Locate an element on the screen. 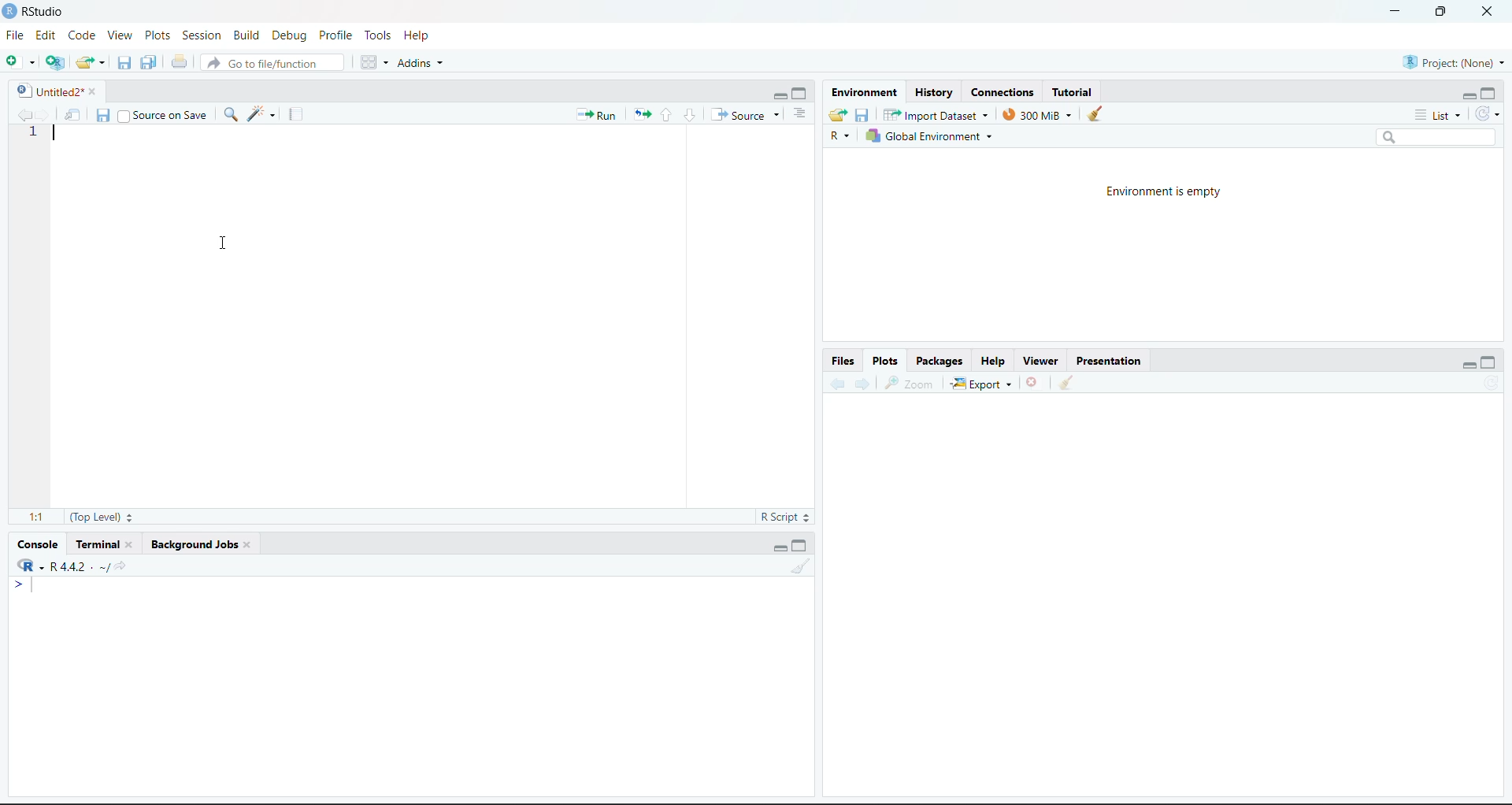 The height and width of the screenshot is (805, 1512). File is located at coordinates (13, 37).